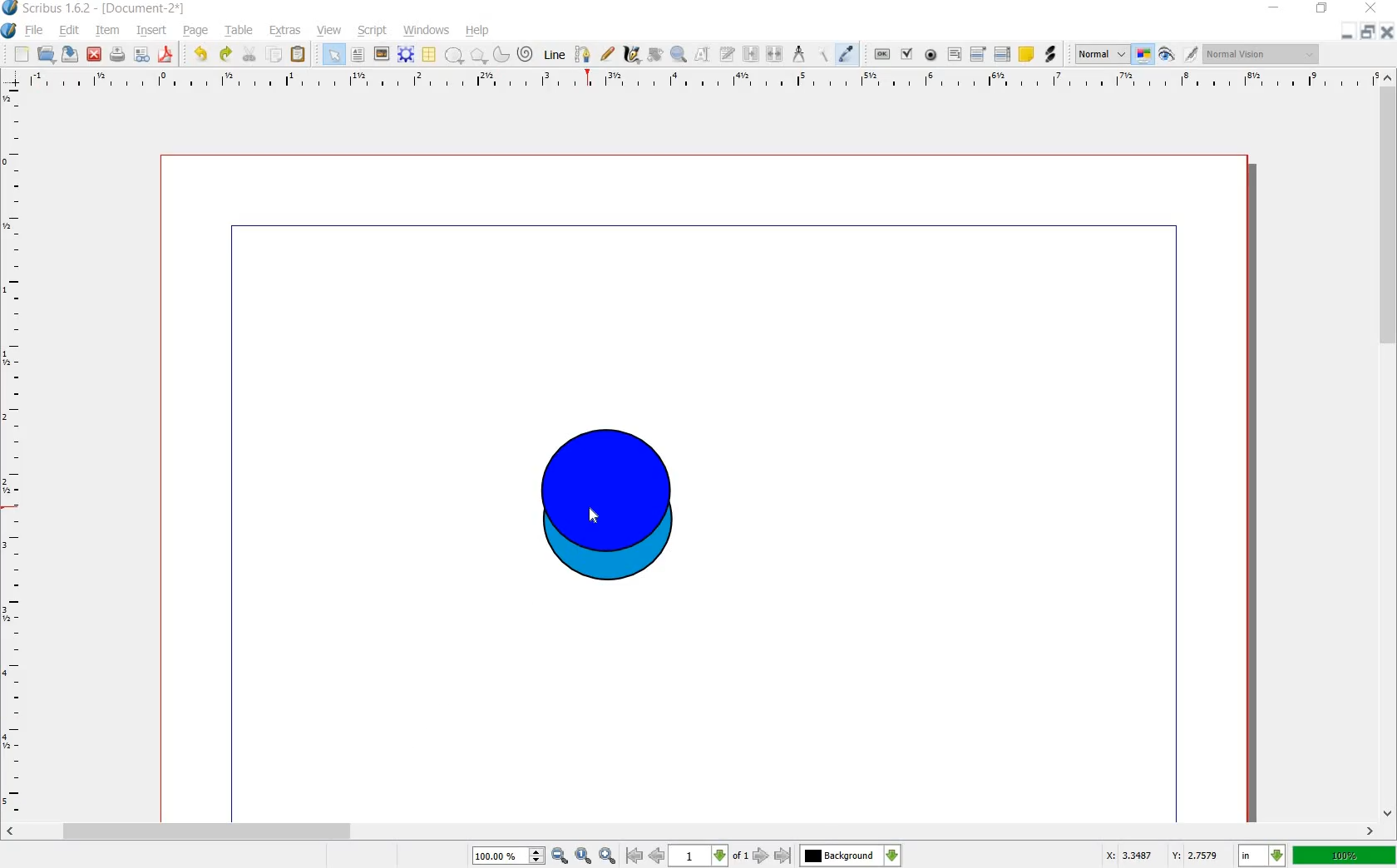  Describe the element at coordinates (333, 54) in the screenshot. I see `select item` at that location.